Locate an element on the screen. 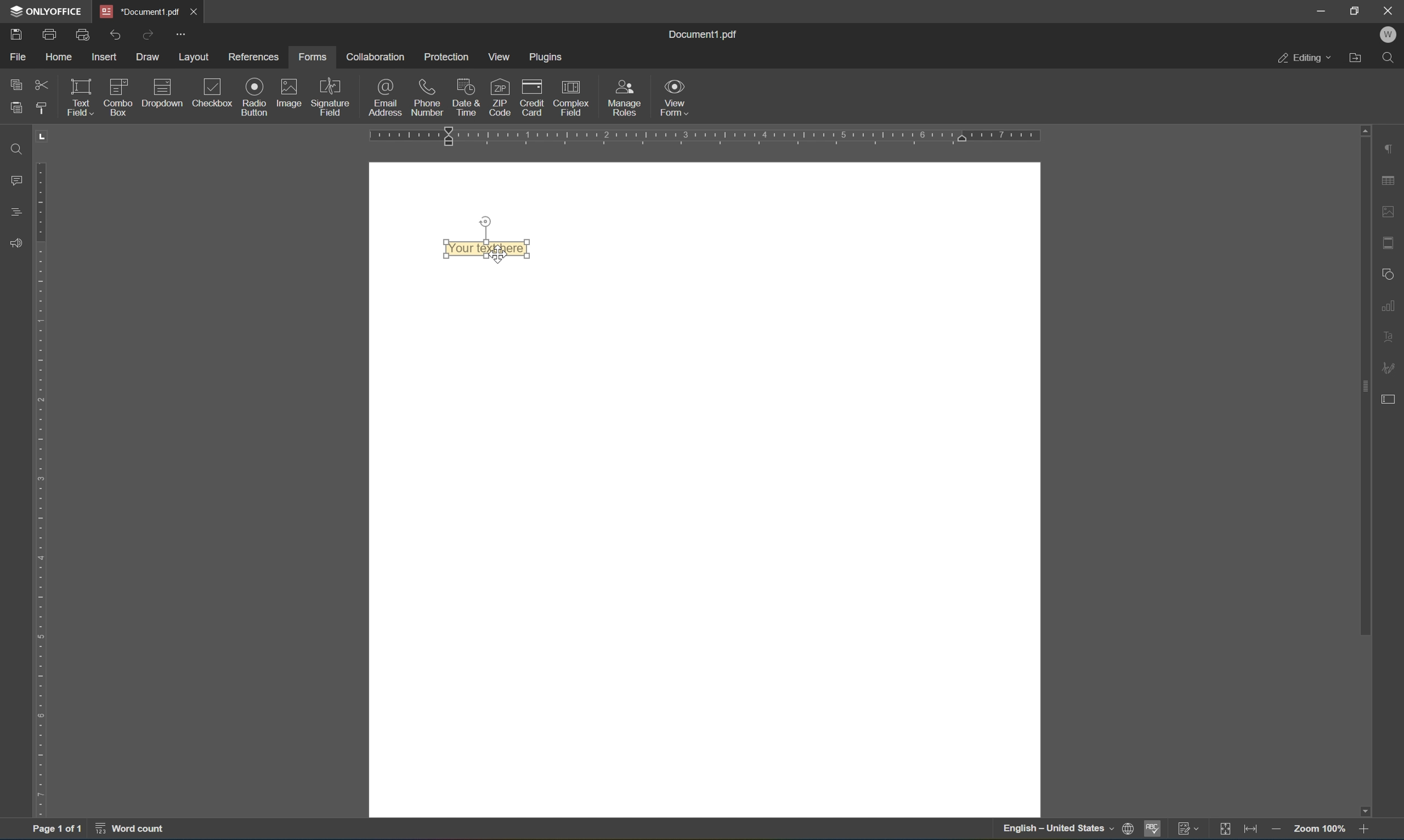 The width and height of the screenshot is (1404, 840). dropdown is located at coordinates (163, 92).